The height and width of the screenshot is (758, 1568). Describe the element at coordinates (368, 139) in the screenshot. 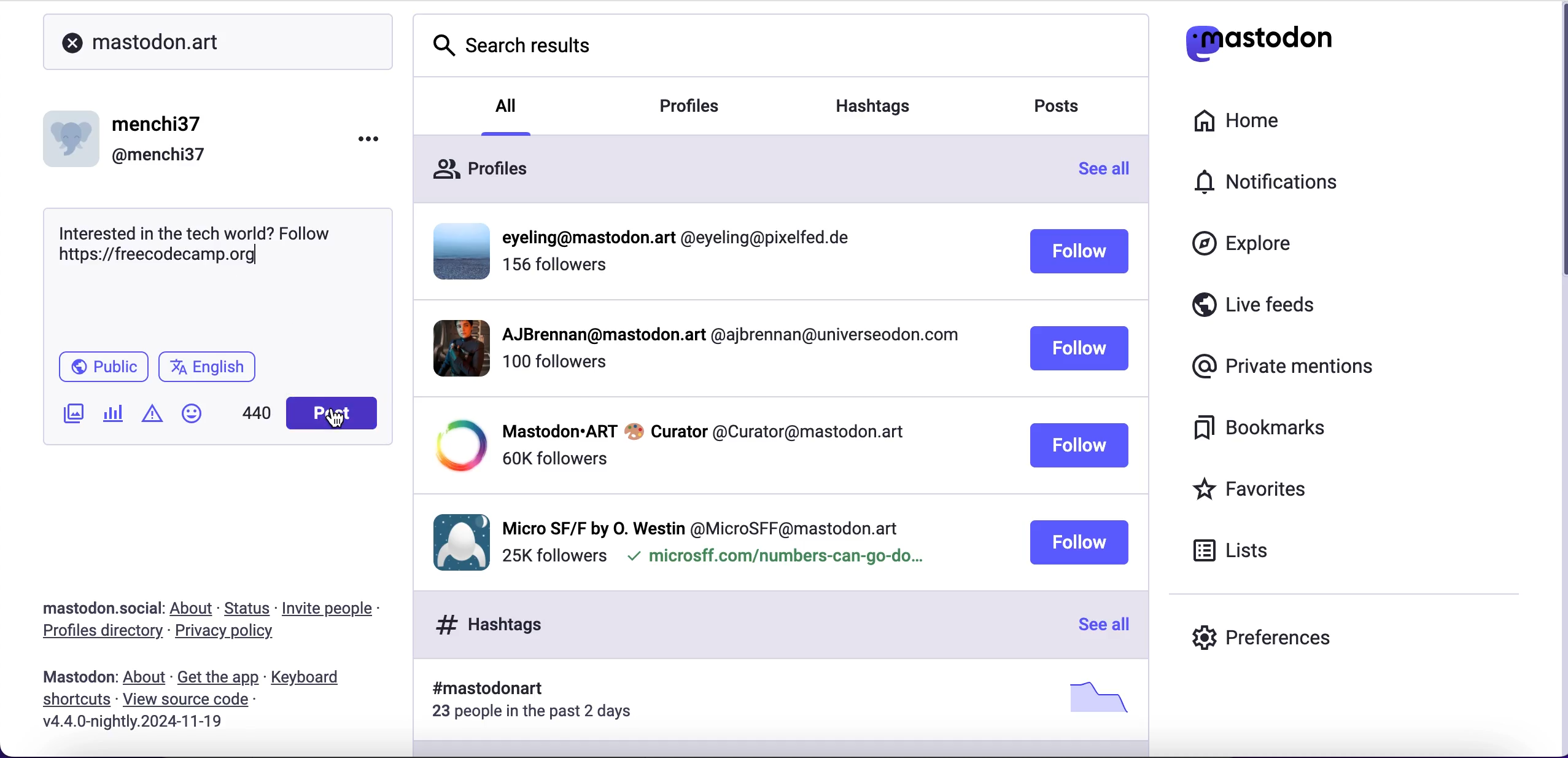

I see `options` at that location.